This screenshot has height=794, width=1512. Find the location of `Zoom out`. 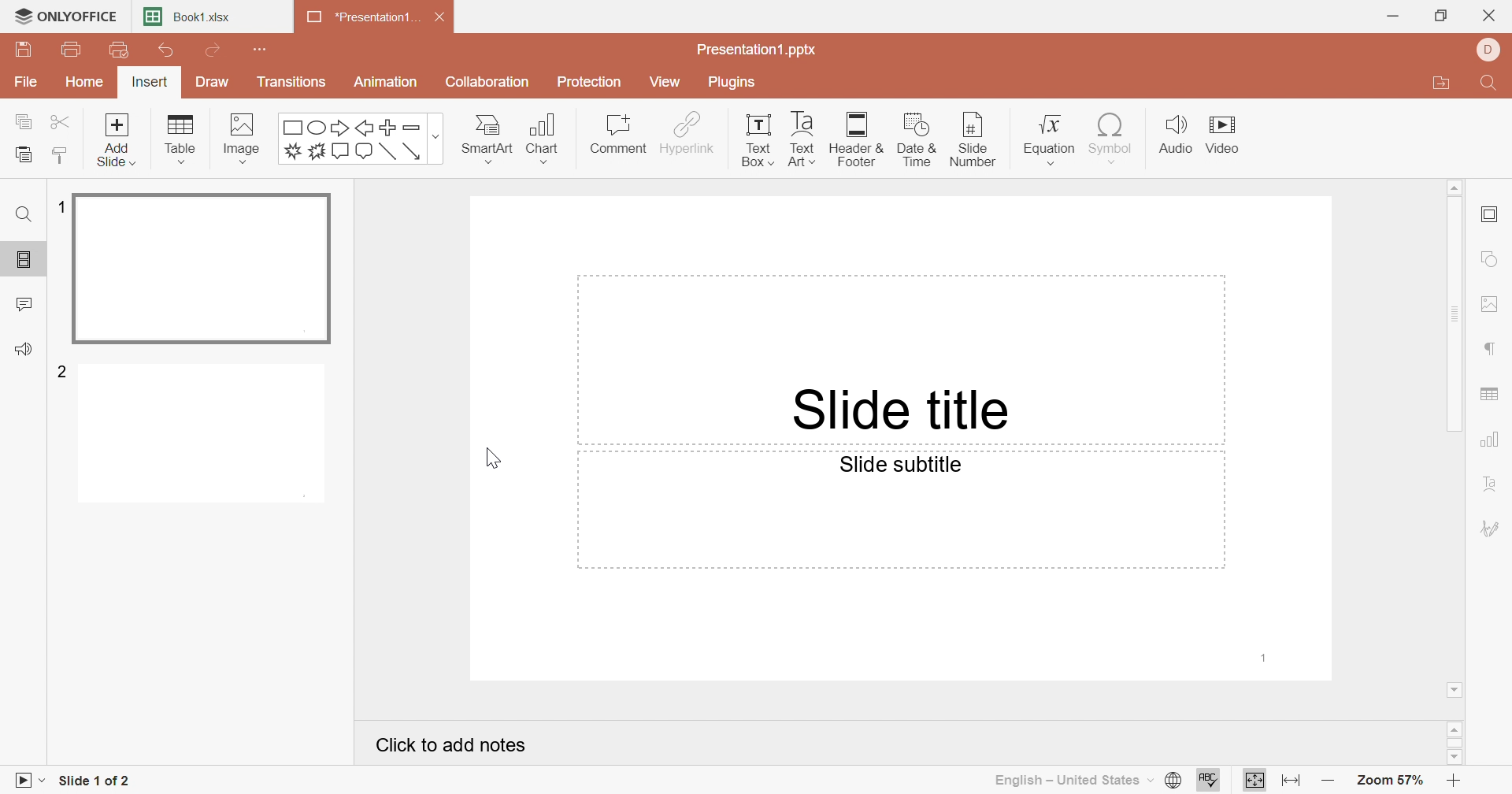

Zoom out is located at coordinates (1329, 784).